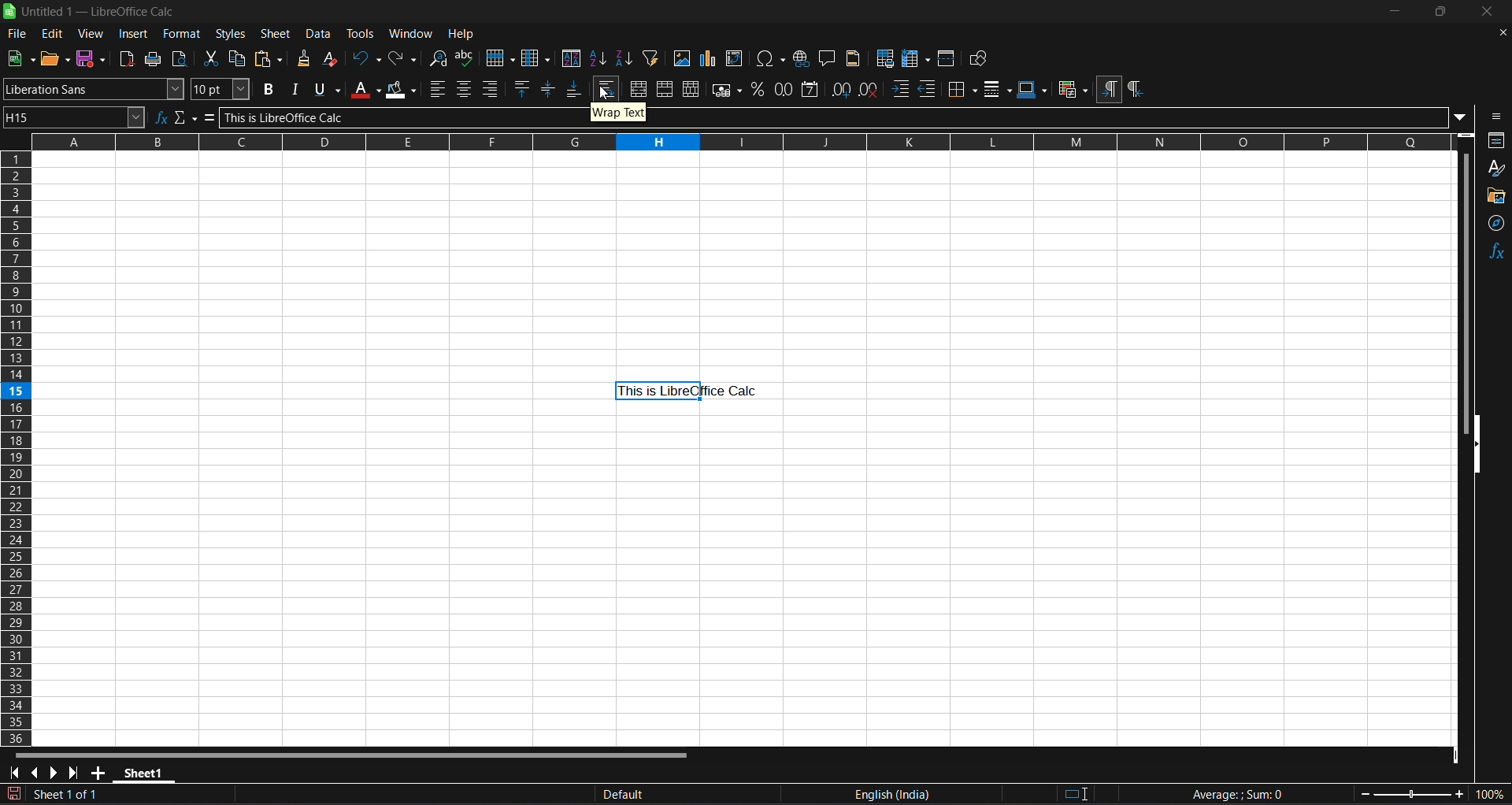 The height and width of the screenshot is (805, 1512). Describe the element at coordinates (606, 89) in the screenshot. I see `wrap text` at that location.